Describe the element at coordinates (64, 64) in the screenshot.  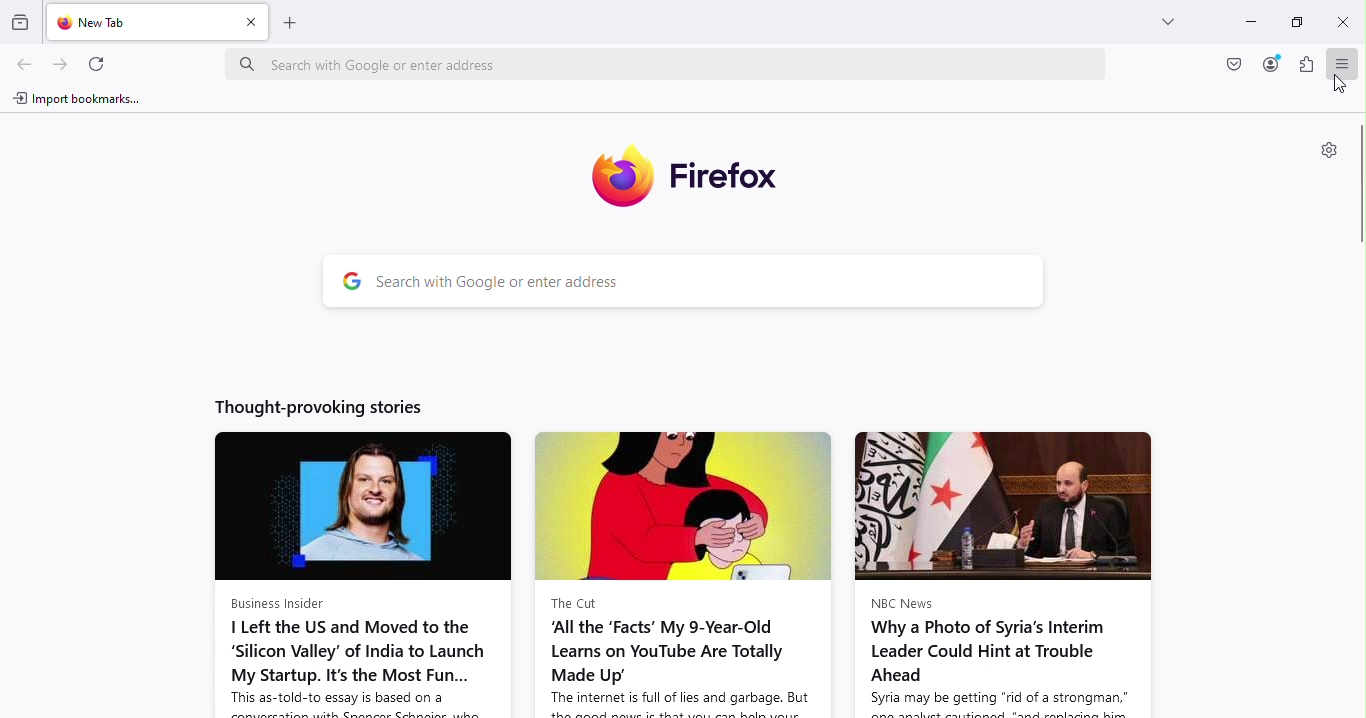
I see `Go forward one page` at that location.